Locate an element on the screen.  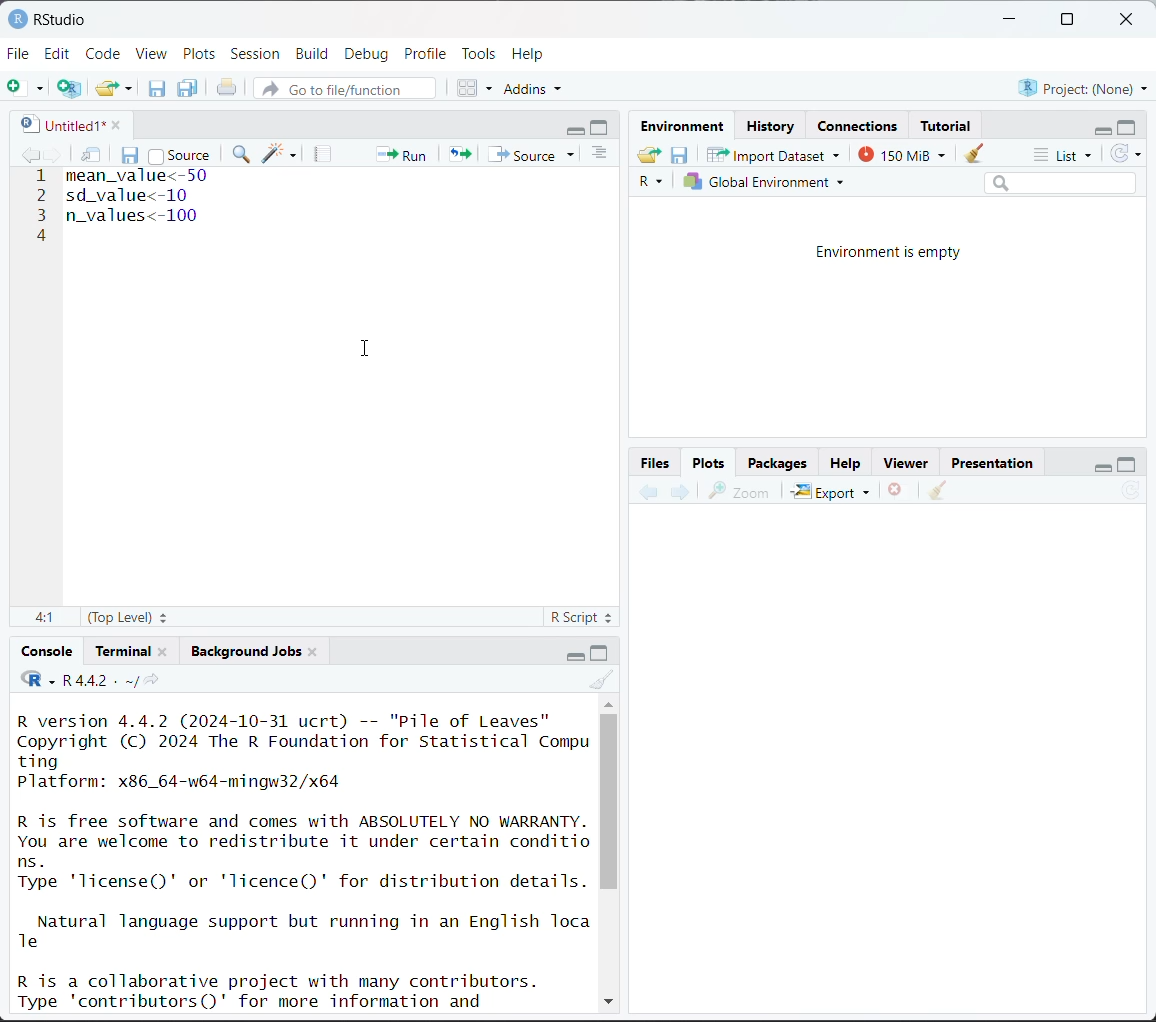
Session is located at coordinates (256, 55).